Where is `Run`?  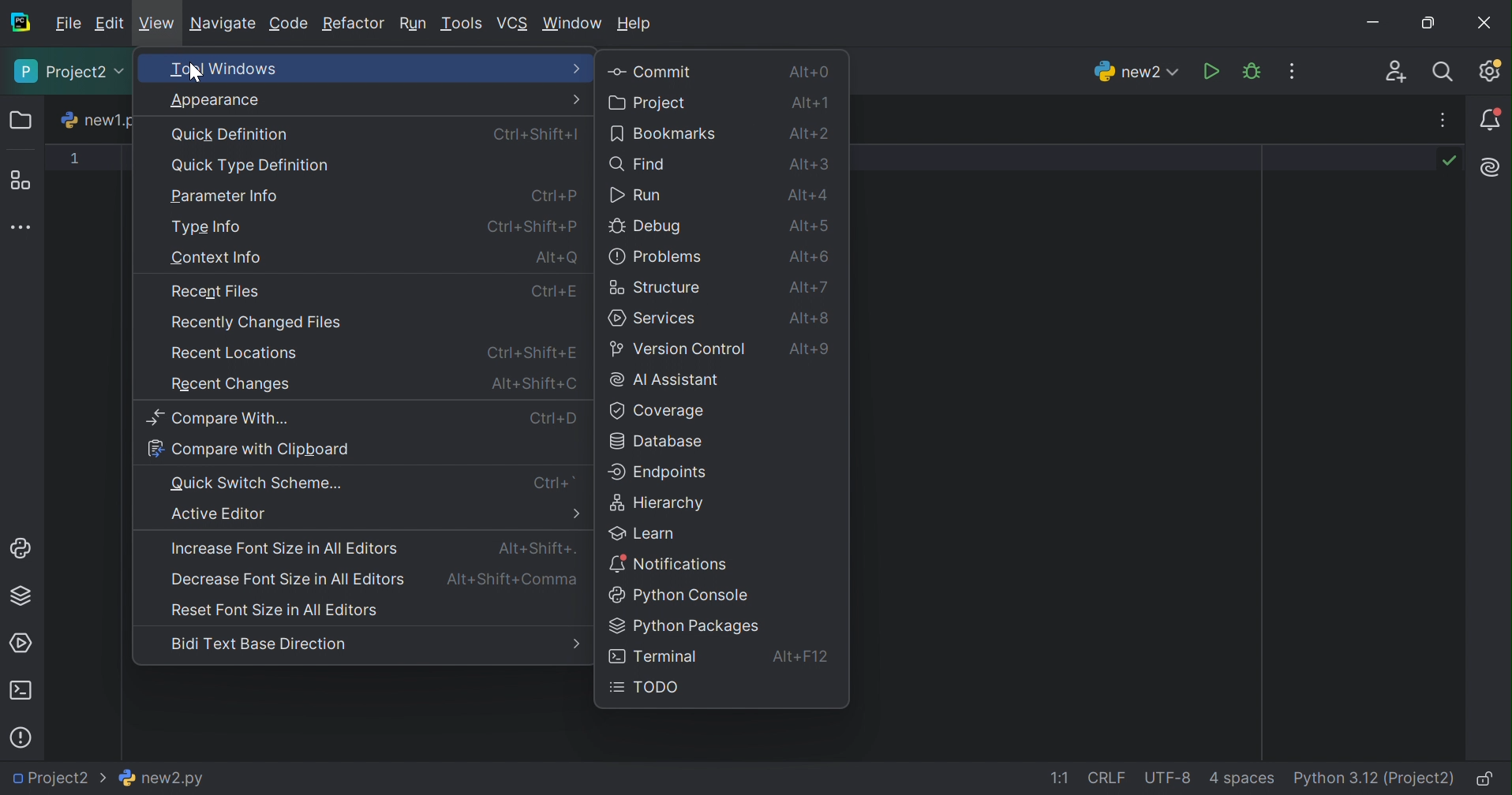 Run is located at coordinates (637, 195).